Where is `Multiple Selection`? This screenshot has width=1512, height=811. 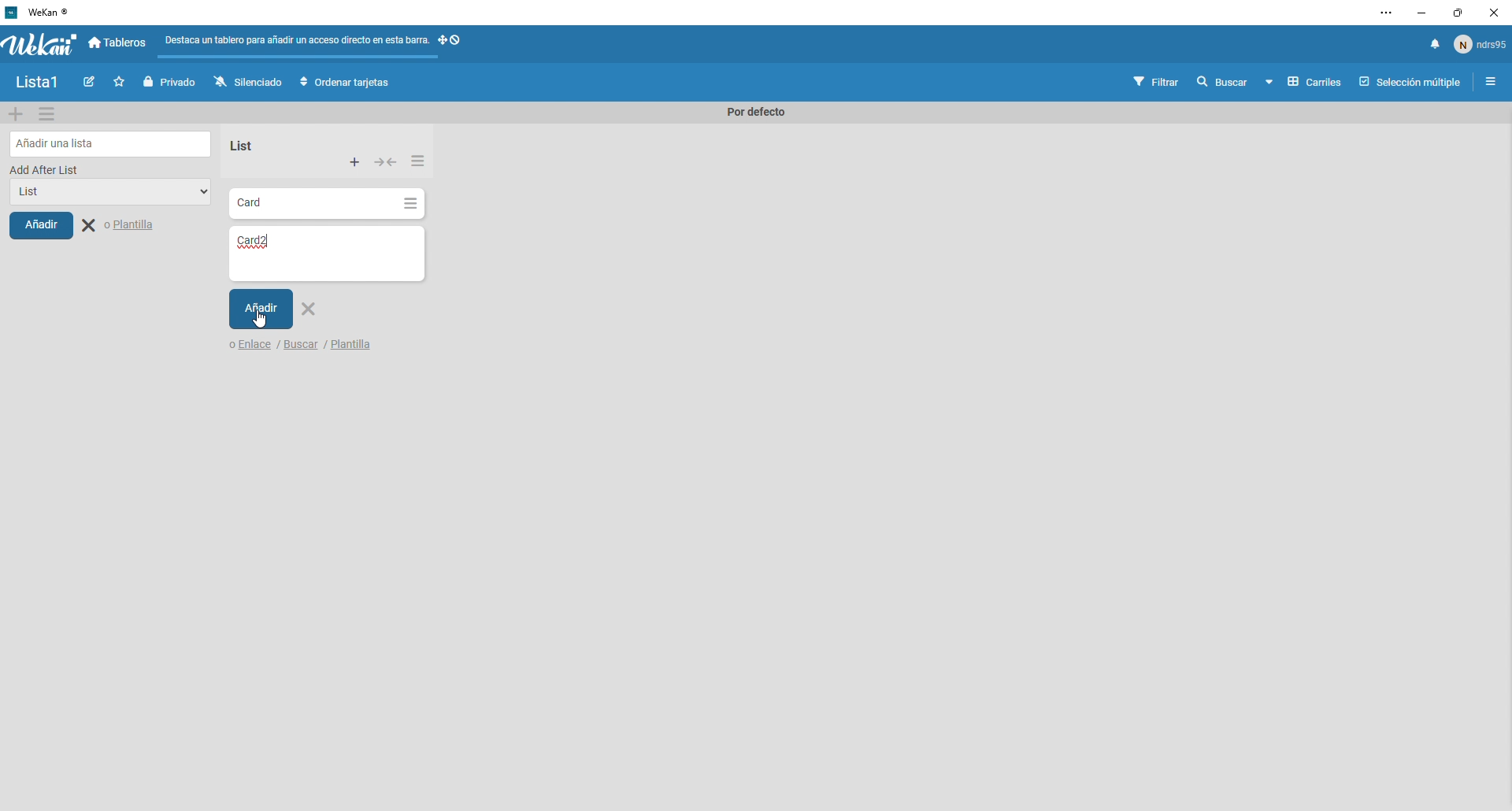
Multiple Selection is located at coordinates (1412, 83).